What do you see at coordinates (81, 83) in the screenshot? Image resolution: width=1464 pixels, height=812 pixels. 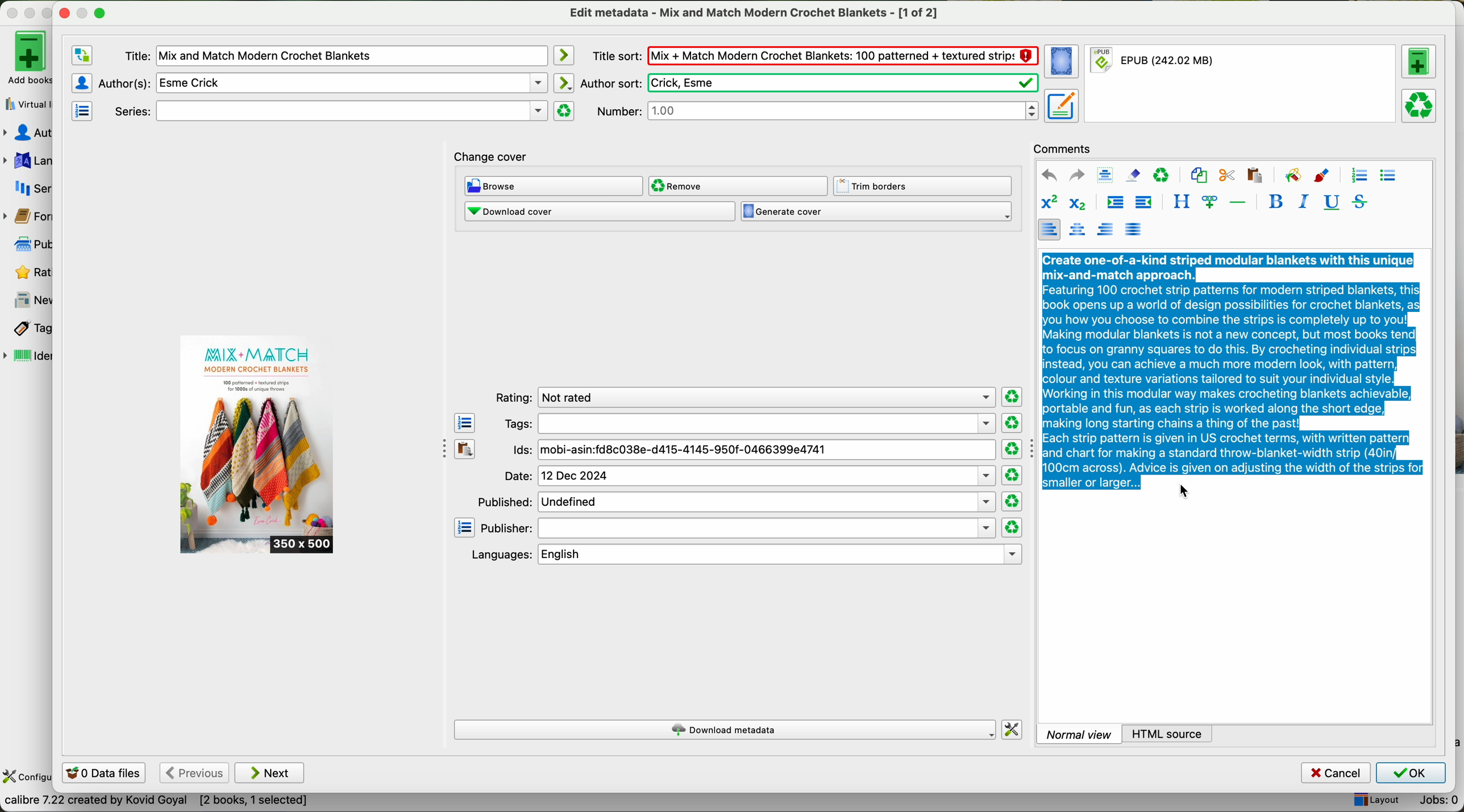 I see `set the manage authors editor` at bounding box center [81, 83].